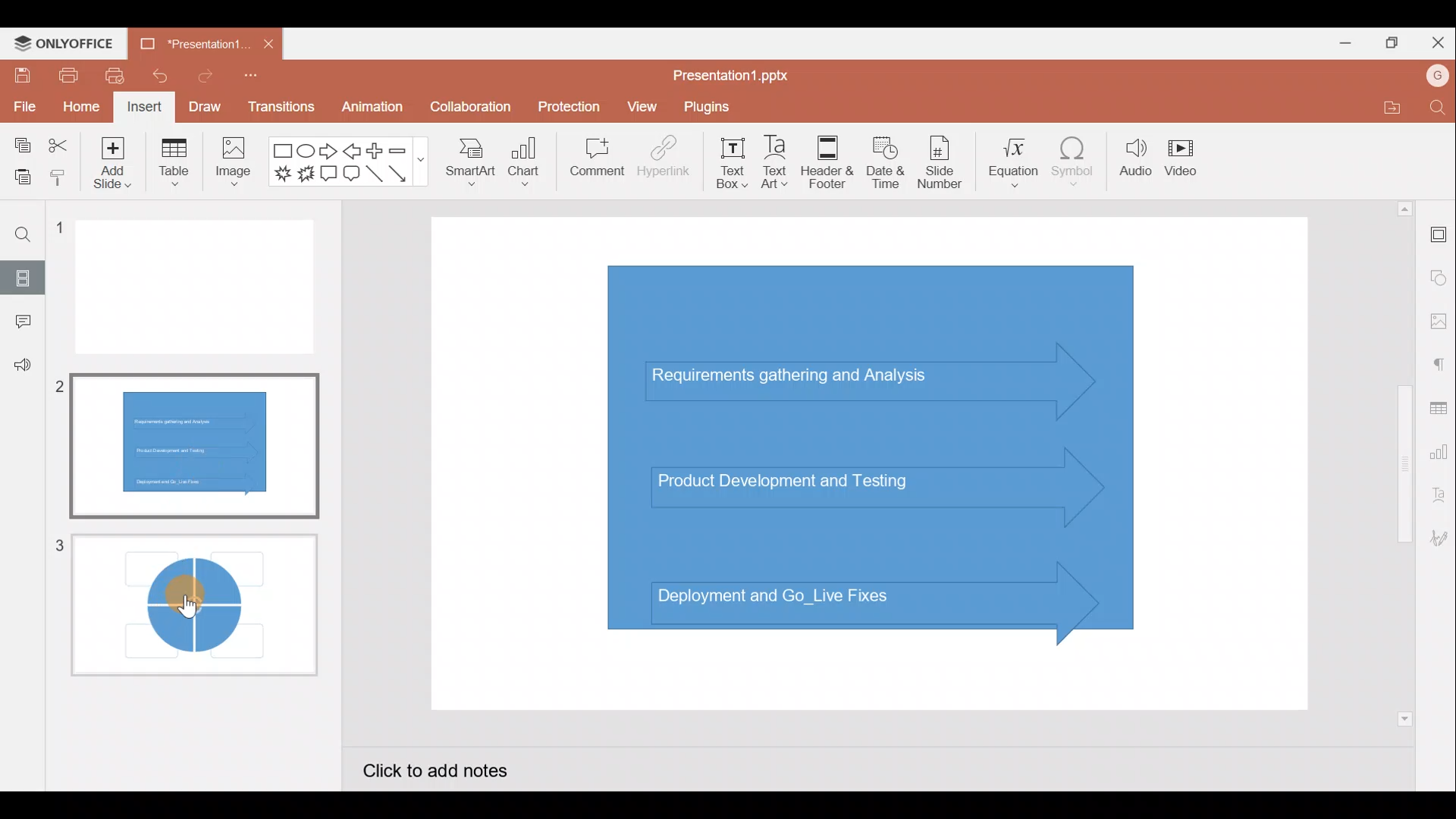 The image size is (1456, 819). I want to click on View, so click(642, 108).